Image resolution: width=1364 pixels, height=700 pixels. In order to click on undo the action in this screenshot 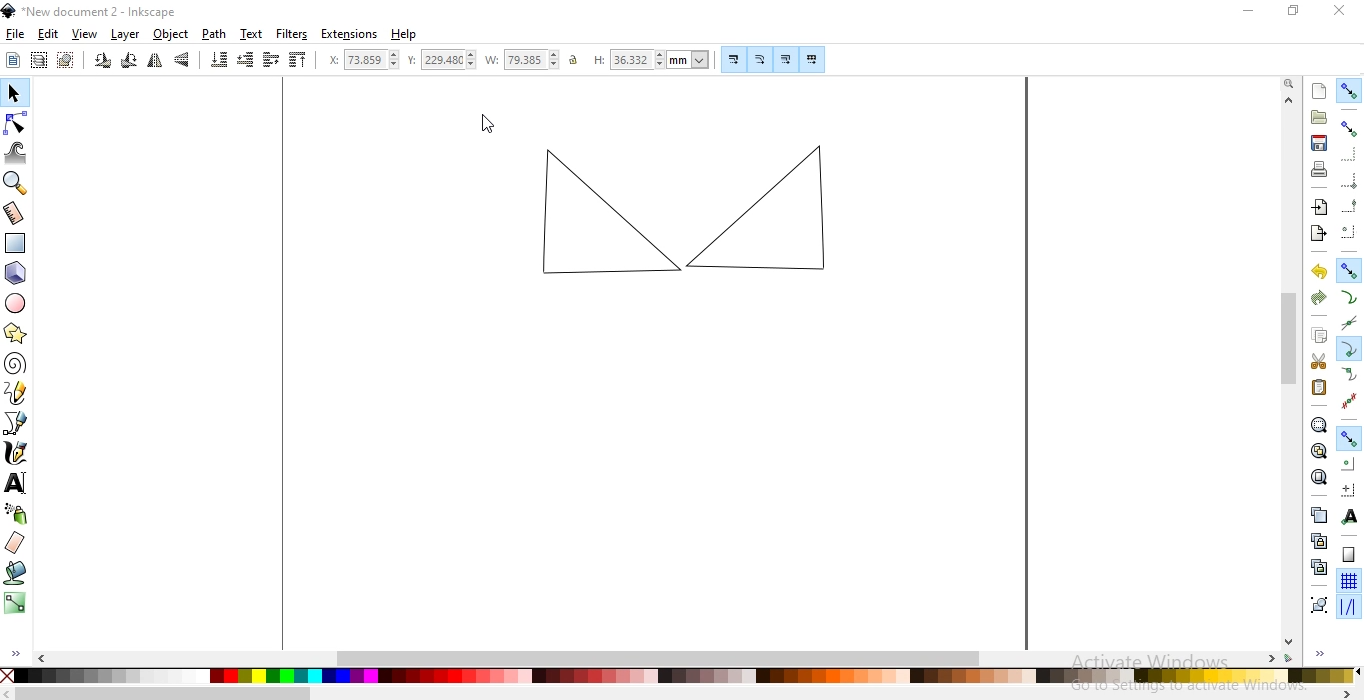, I will do `click(1317, 272)`.